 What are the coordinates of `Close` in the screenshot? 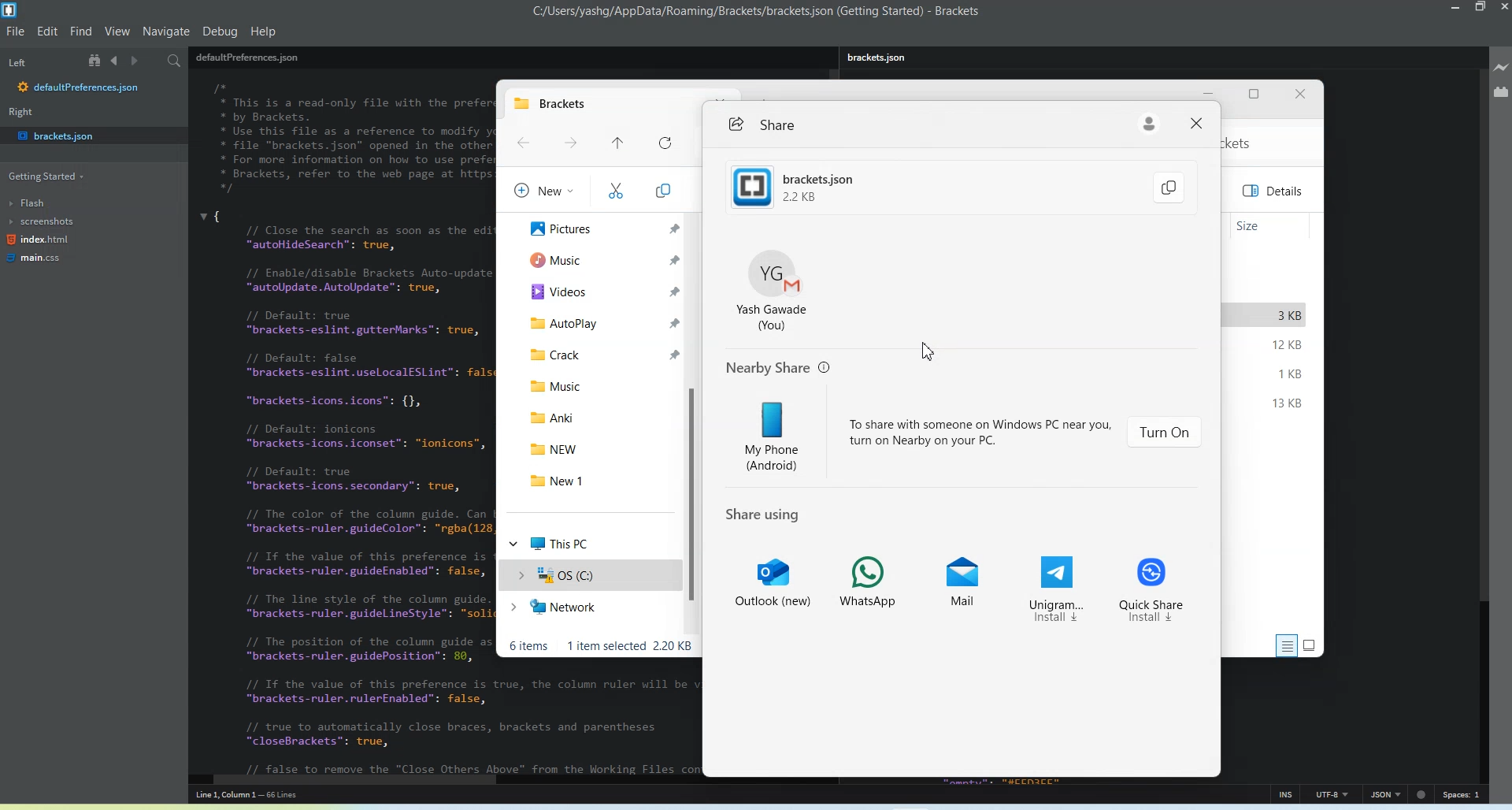 It's located at (1196, 124).